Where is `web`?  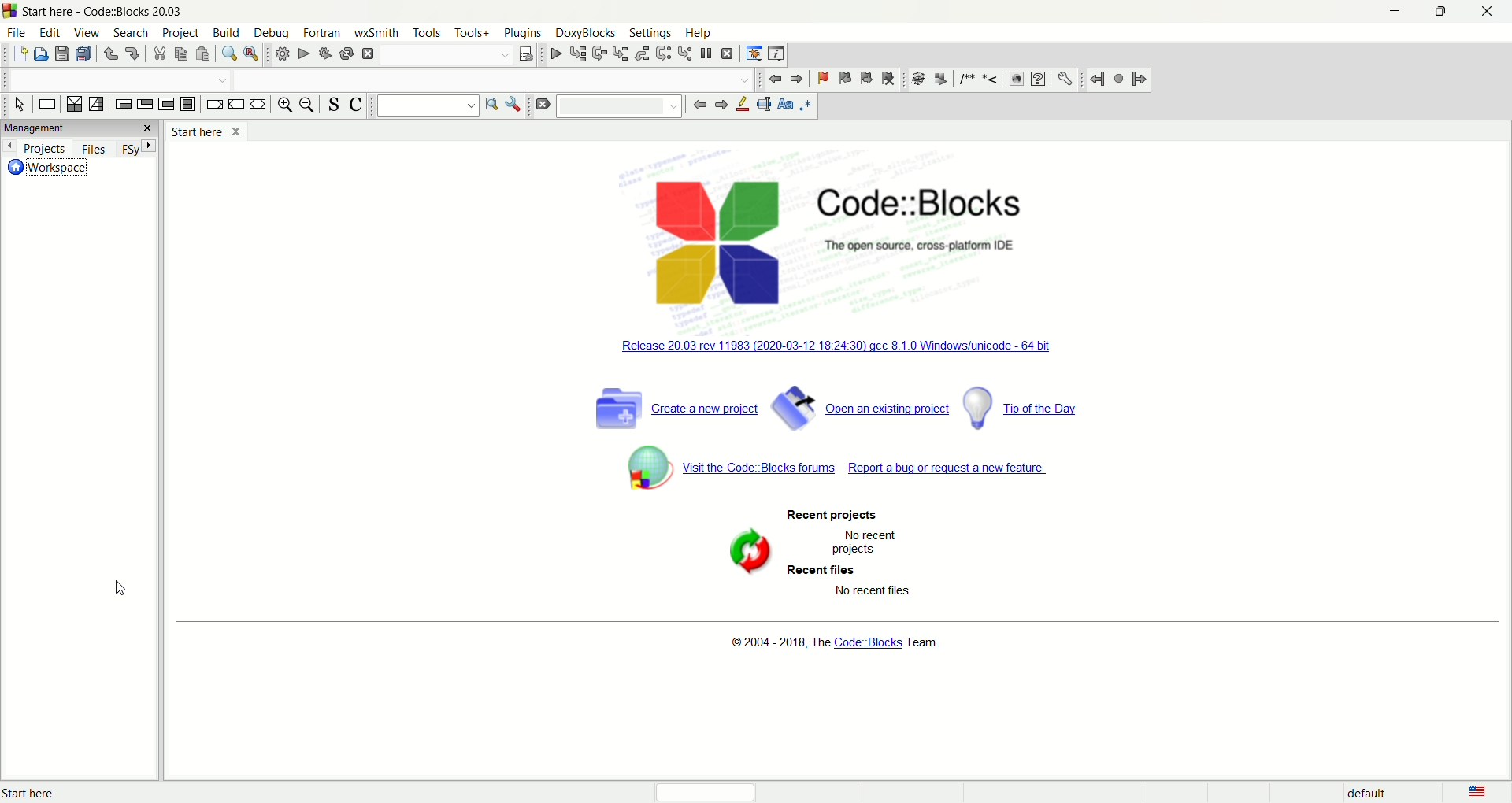
web is located at coordinates (1014, 80).